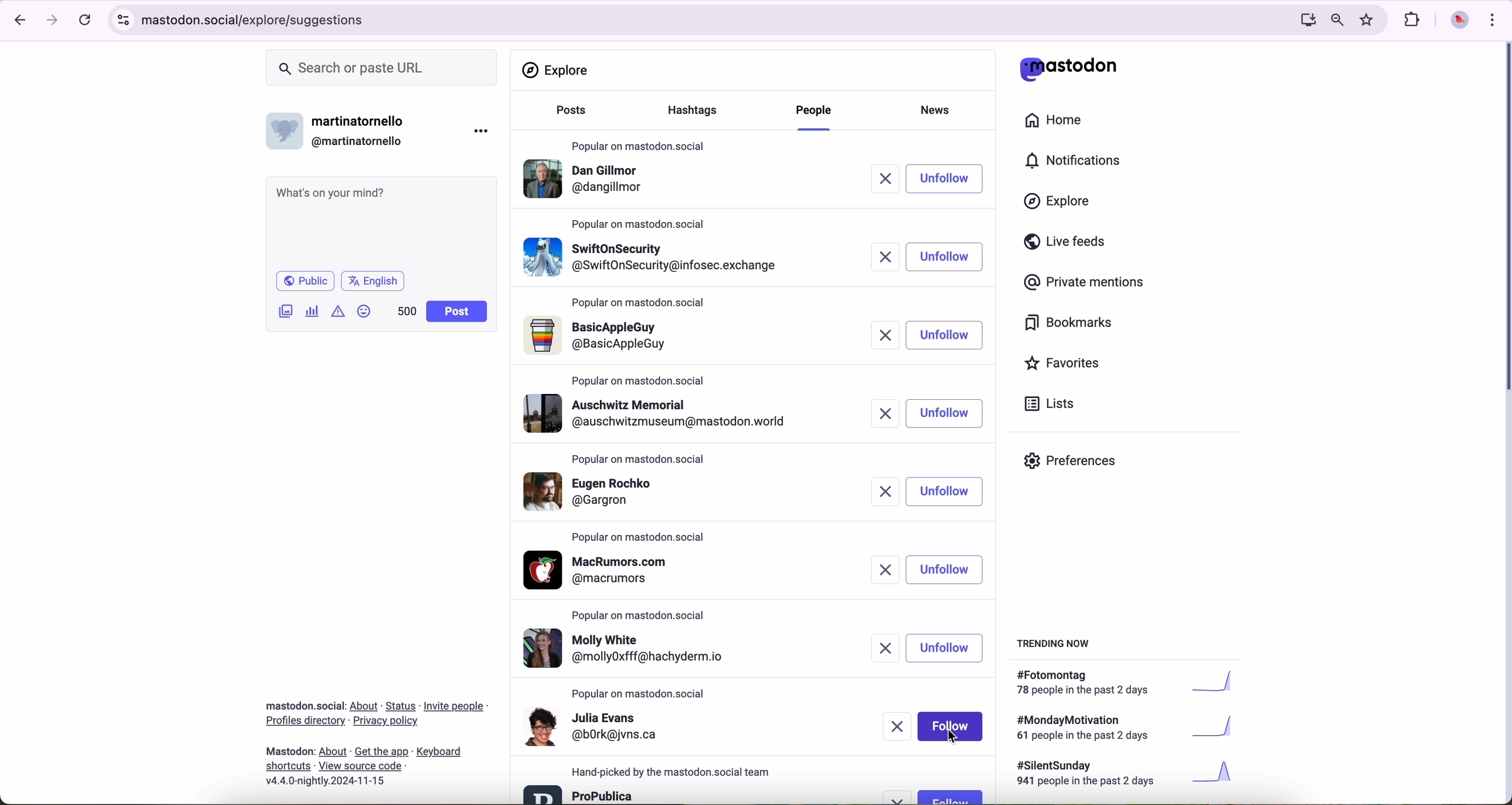 This screenshot has height=805, width=1512. I want to click on #mondaymotivation, so click(1123, 727).